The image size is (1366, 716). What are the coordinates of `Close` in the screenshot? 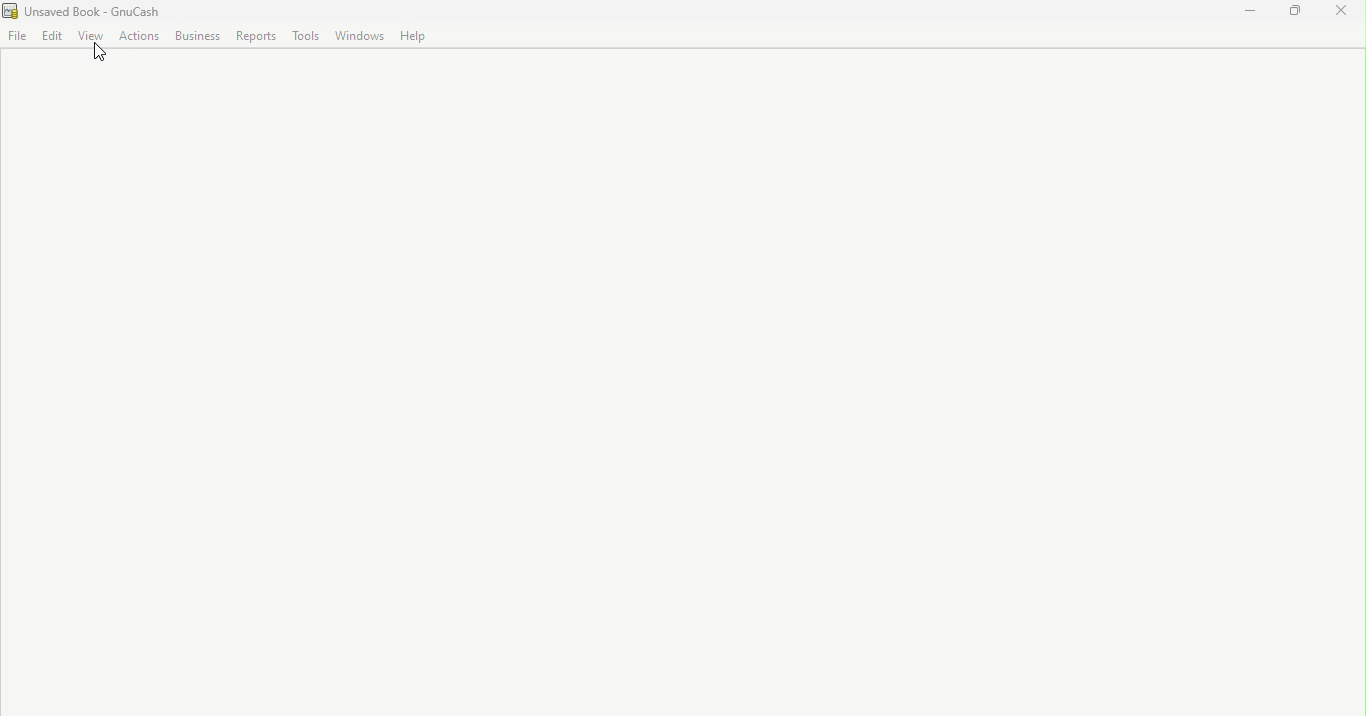 It's located at (1337, 13).